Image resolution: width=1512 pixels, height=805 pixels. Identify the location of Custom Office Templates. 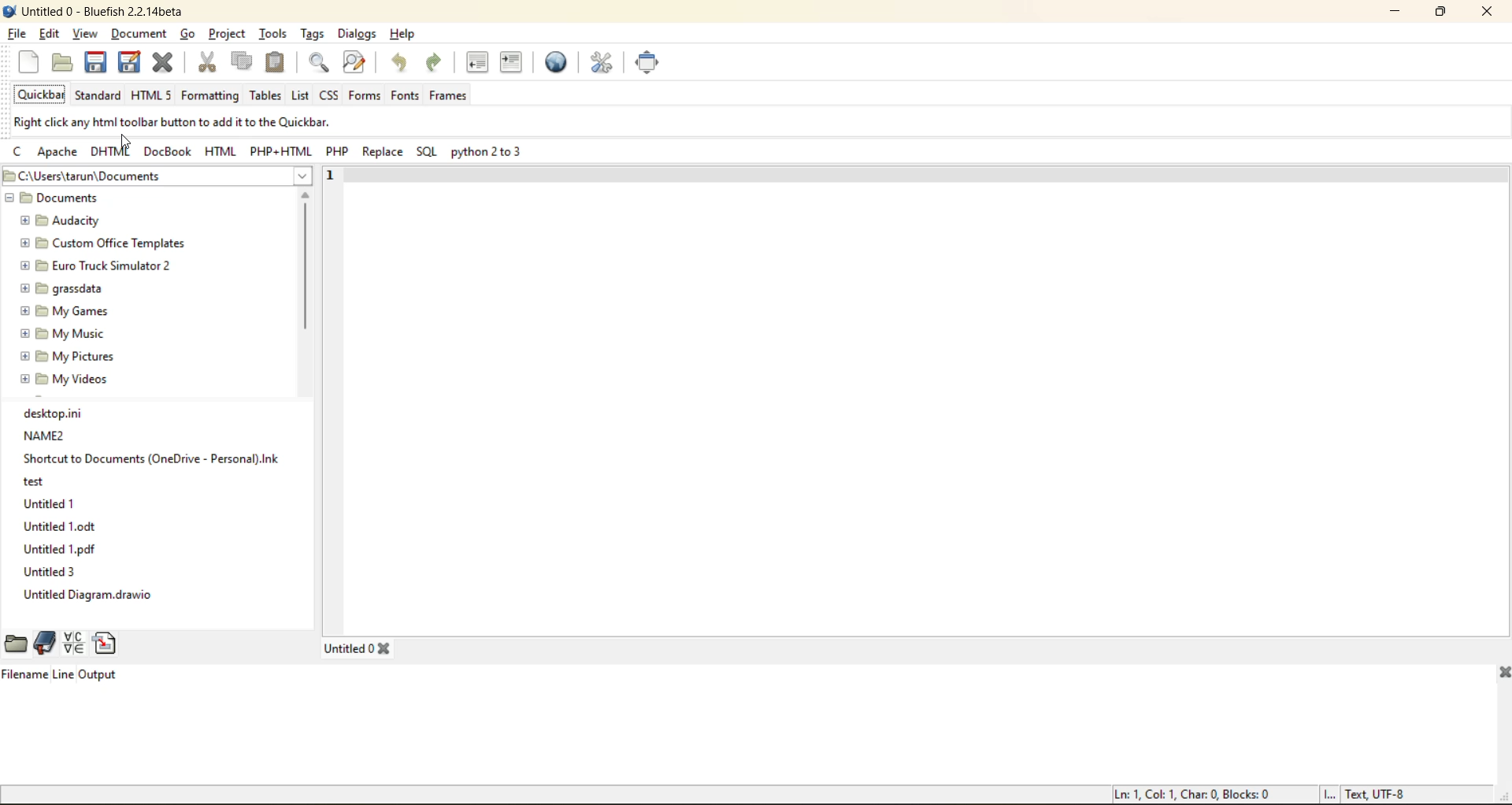
(108, 243).